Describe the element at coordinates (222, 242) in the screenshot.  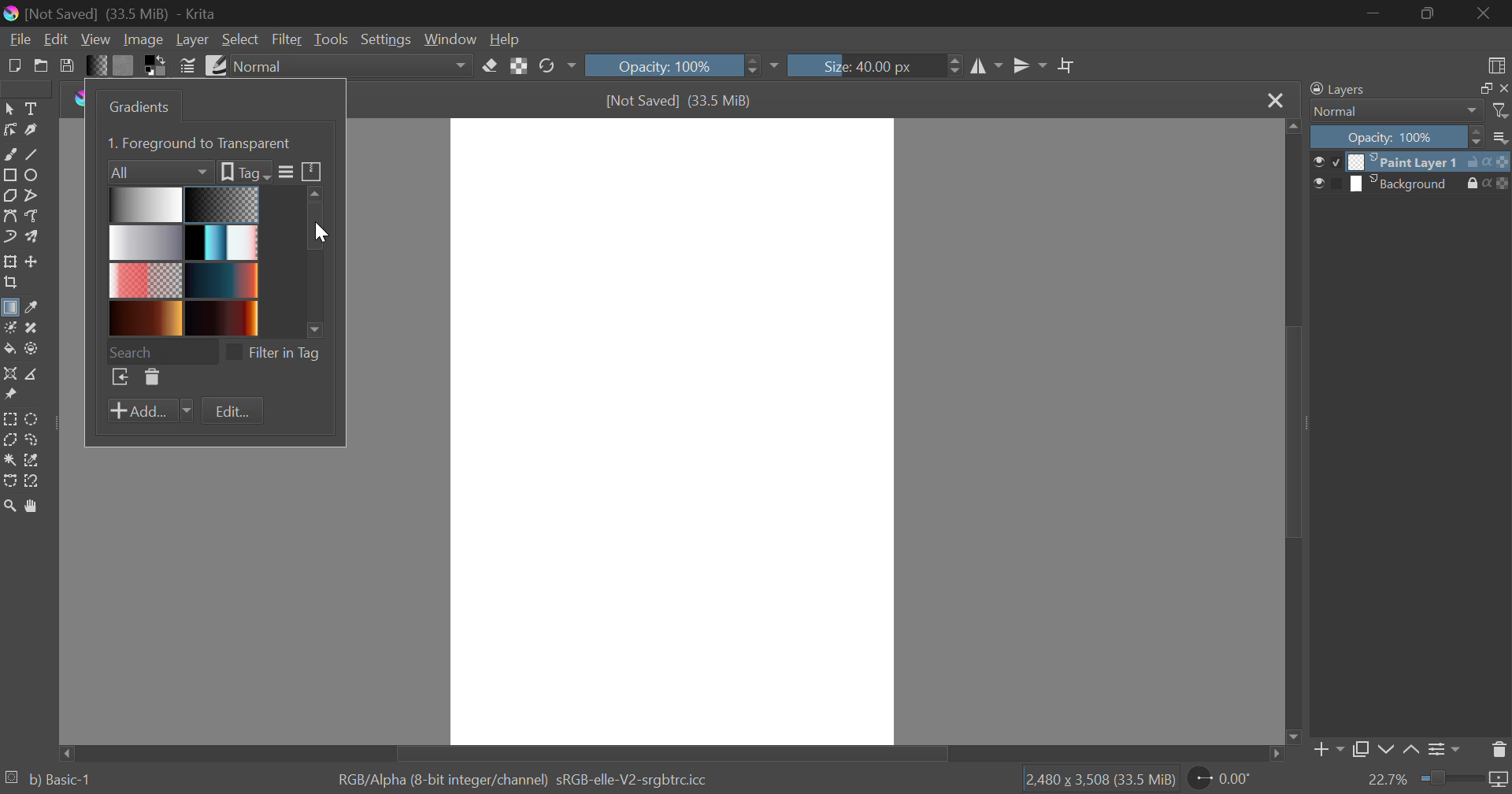
I see `Gradient 4` at that location.